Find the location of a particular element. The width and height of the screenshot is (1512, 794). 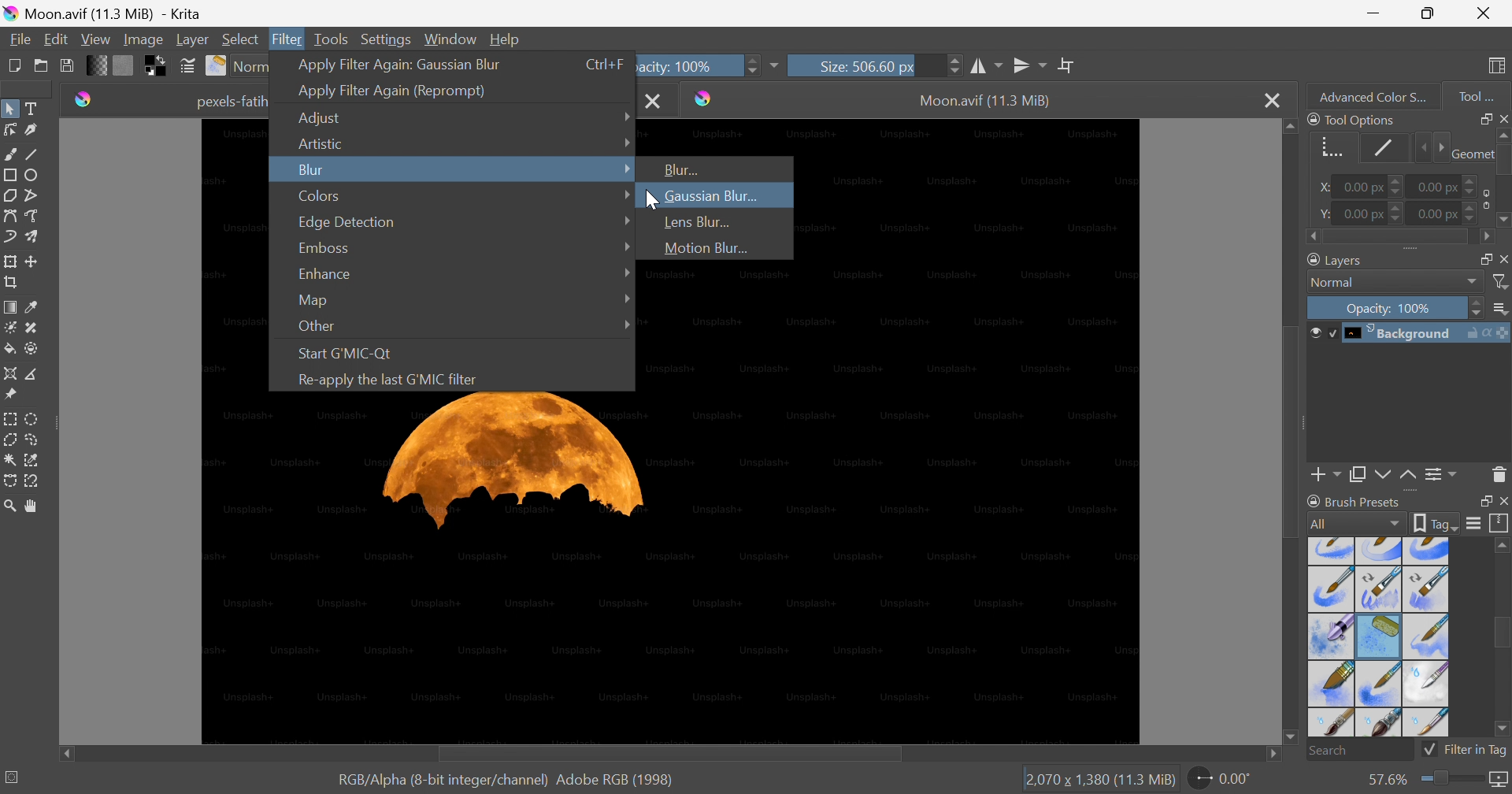

Scroll up is located at coordinates (1503, 544).